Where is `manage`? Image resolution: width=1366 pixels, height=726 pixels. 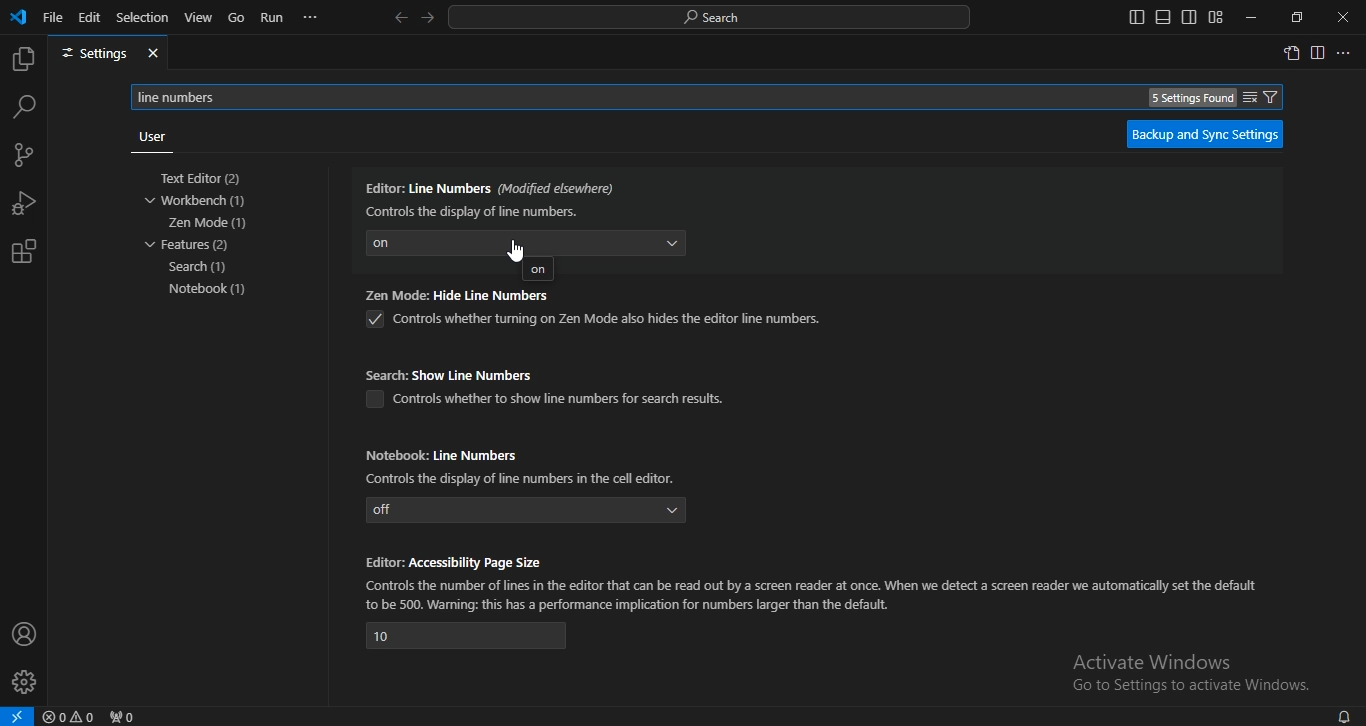
manage is located at coordinates (26, 684).